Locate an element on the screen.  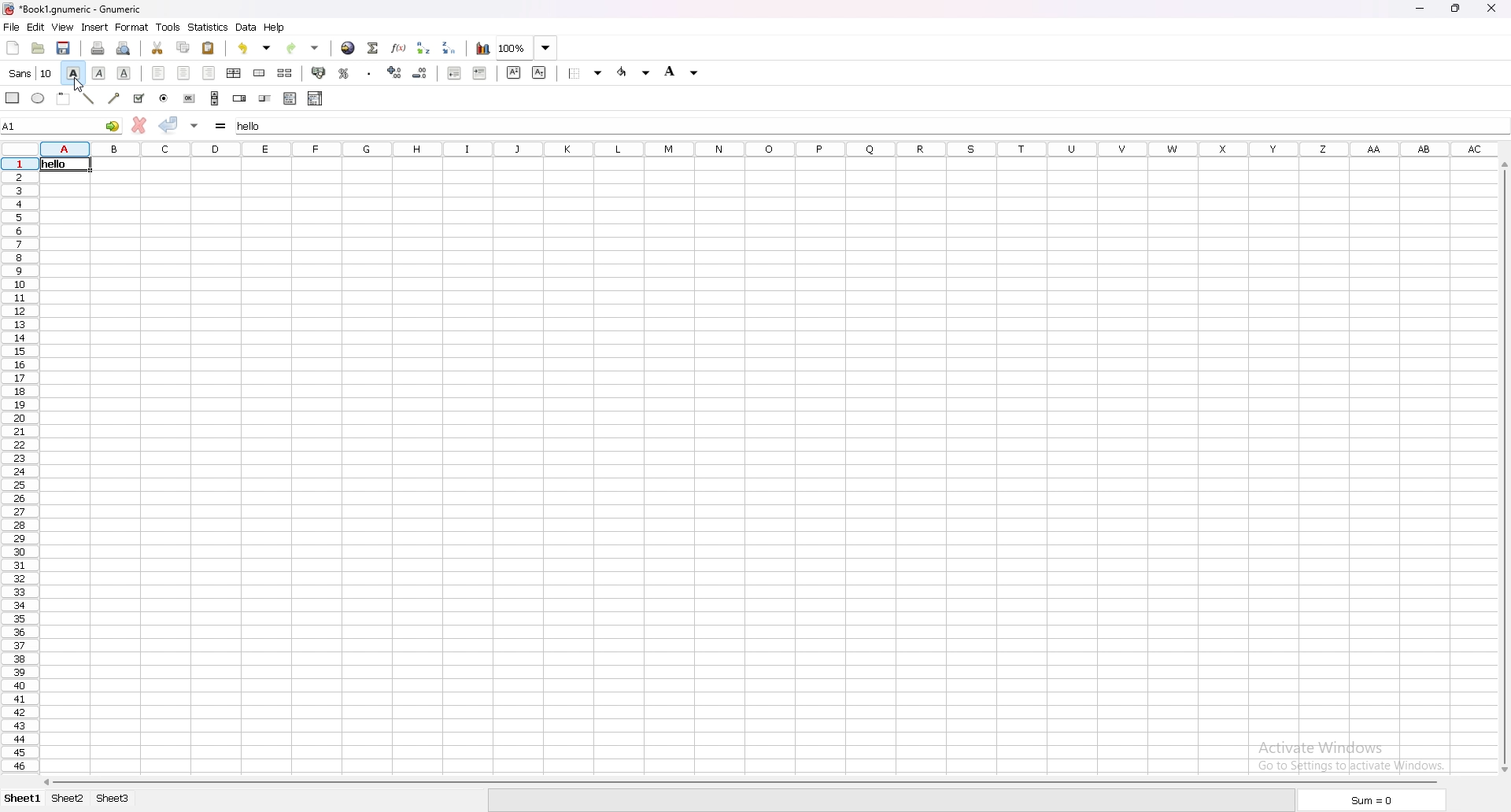
cancel change is located at coordinates (139, 125).